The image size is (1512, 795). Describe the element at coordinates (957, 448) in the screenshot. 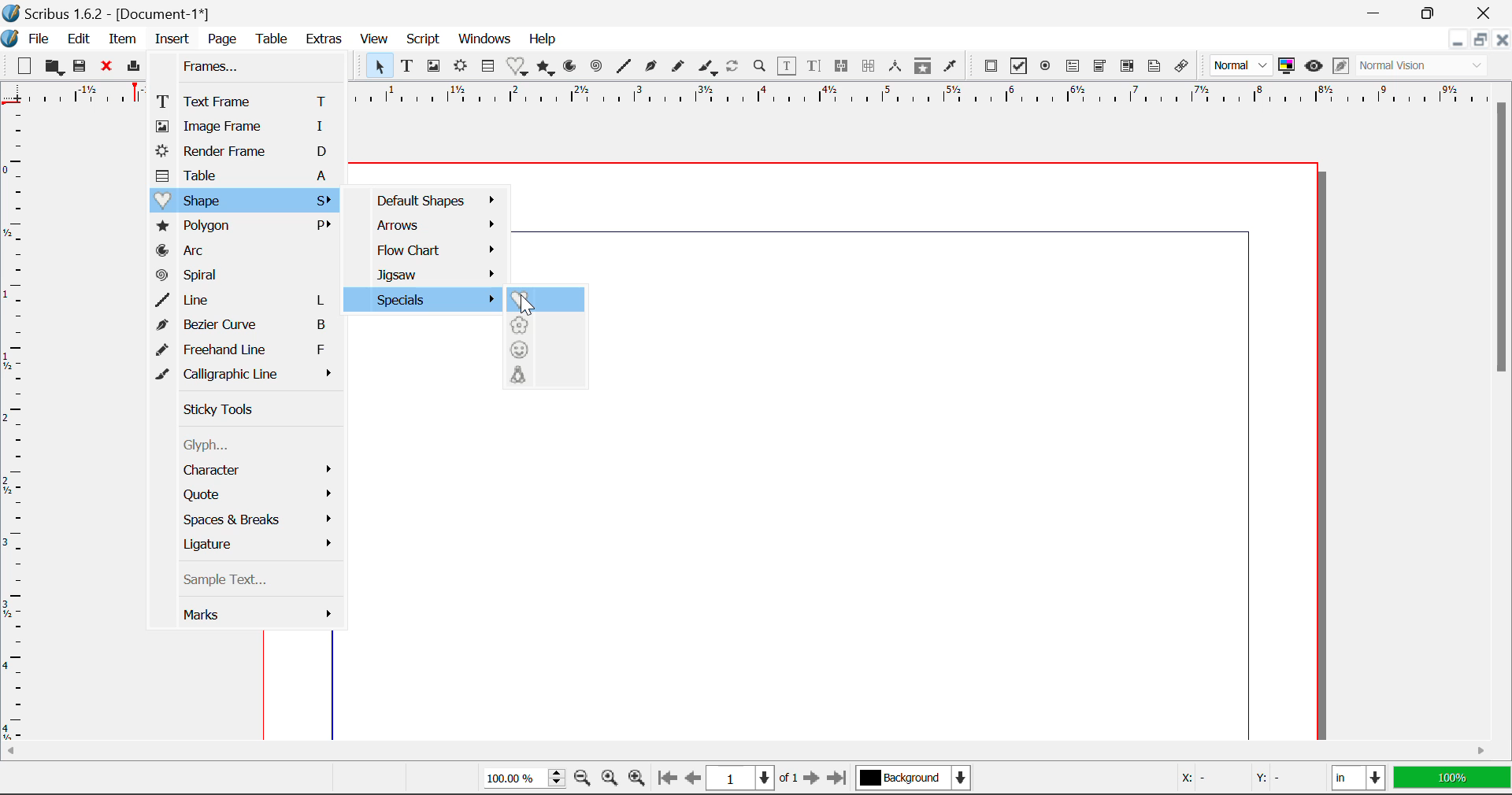

I see `canvas` at that location.